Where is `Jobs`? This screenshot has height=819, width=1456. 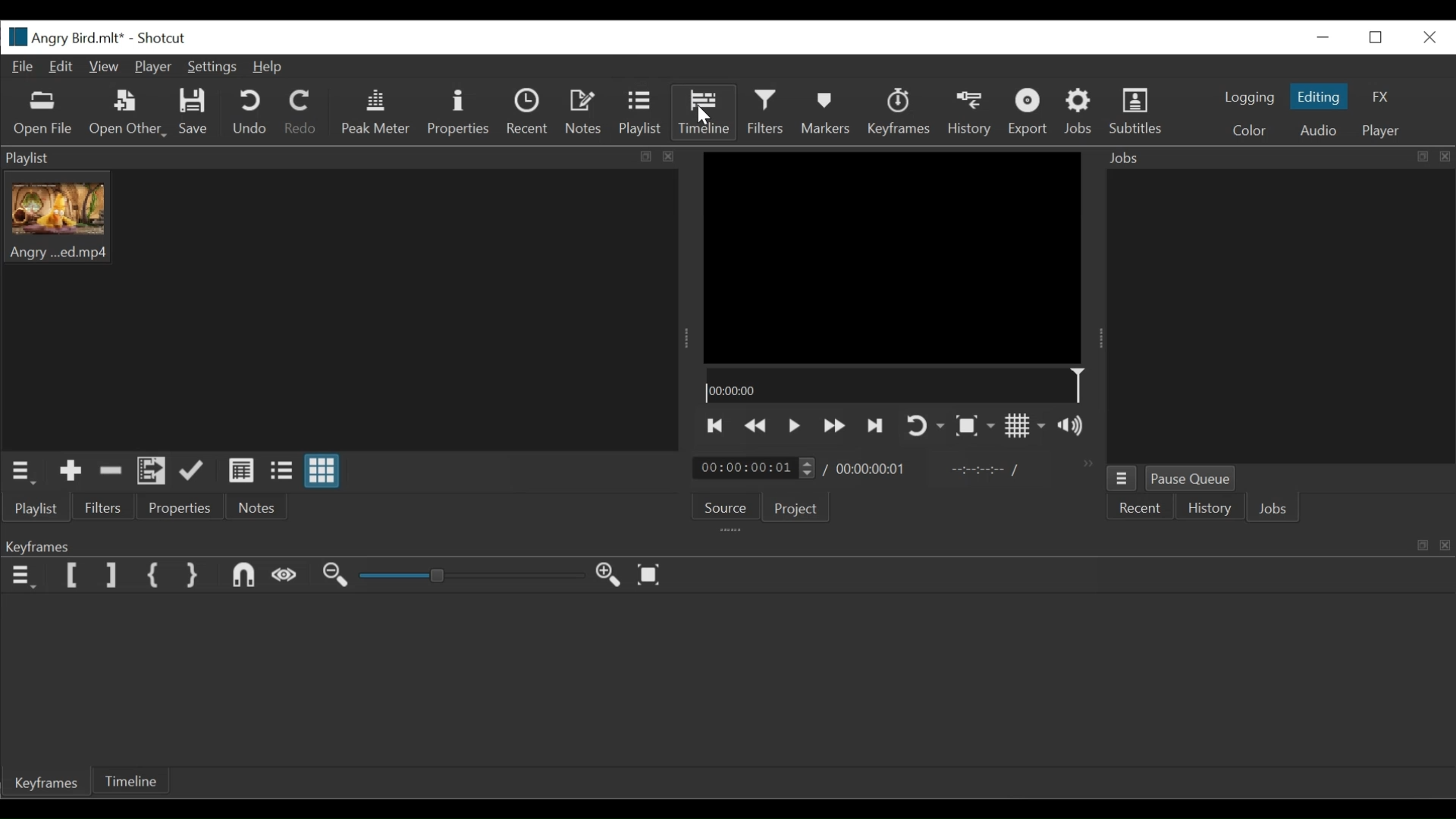
Jobs is located at coordinates (1080, 113).